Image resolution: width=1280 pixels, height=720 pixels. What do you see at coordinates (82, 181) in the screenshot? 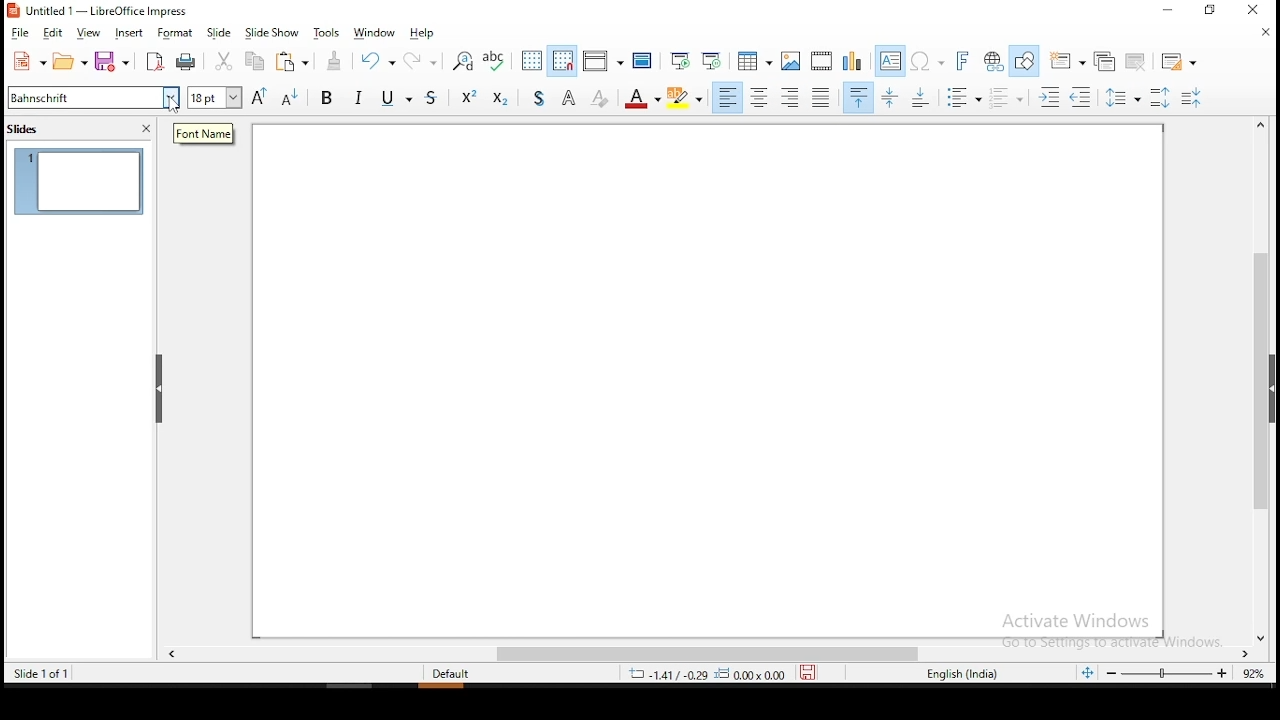
I see `slide 1` at bounding box center [82, 181].